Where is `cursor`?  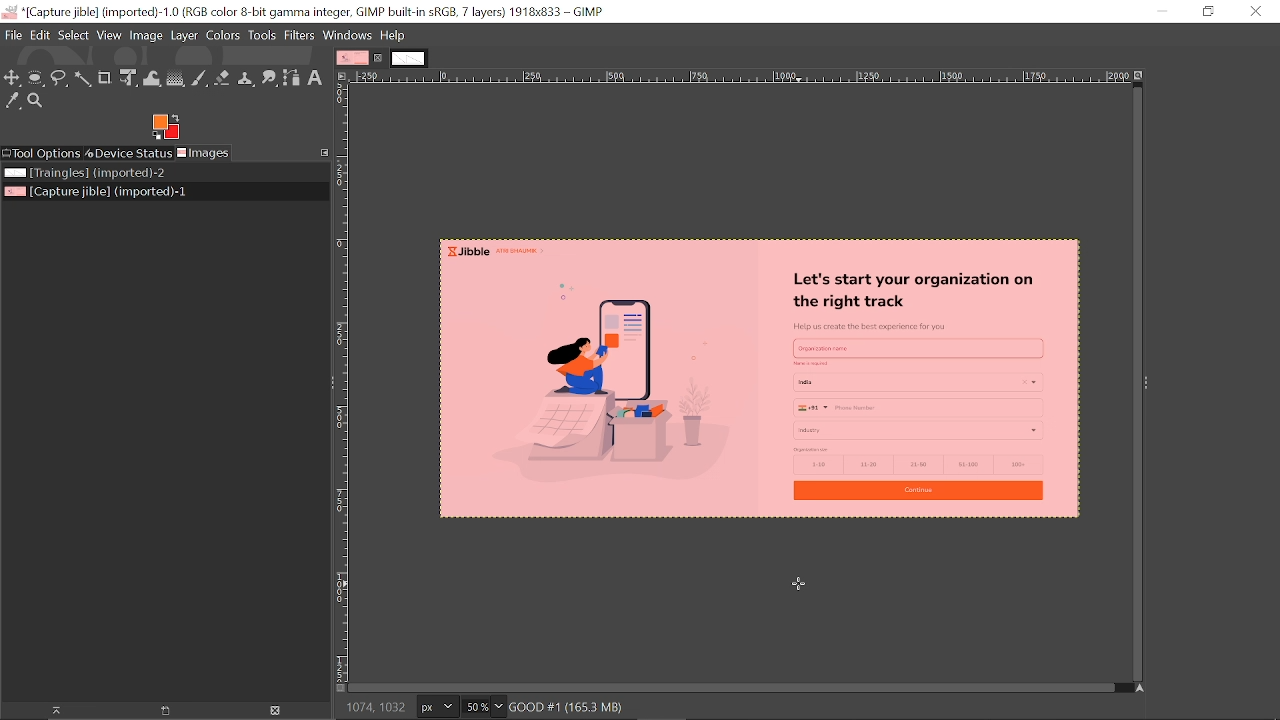 cursor is located at coordinates (803, 588).